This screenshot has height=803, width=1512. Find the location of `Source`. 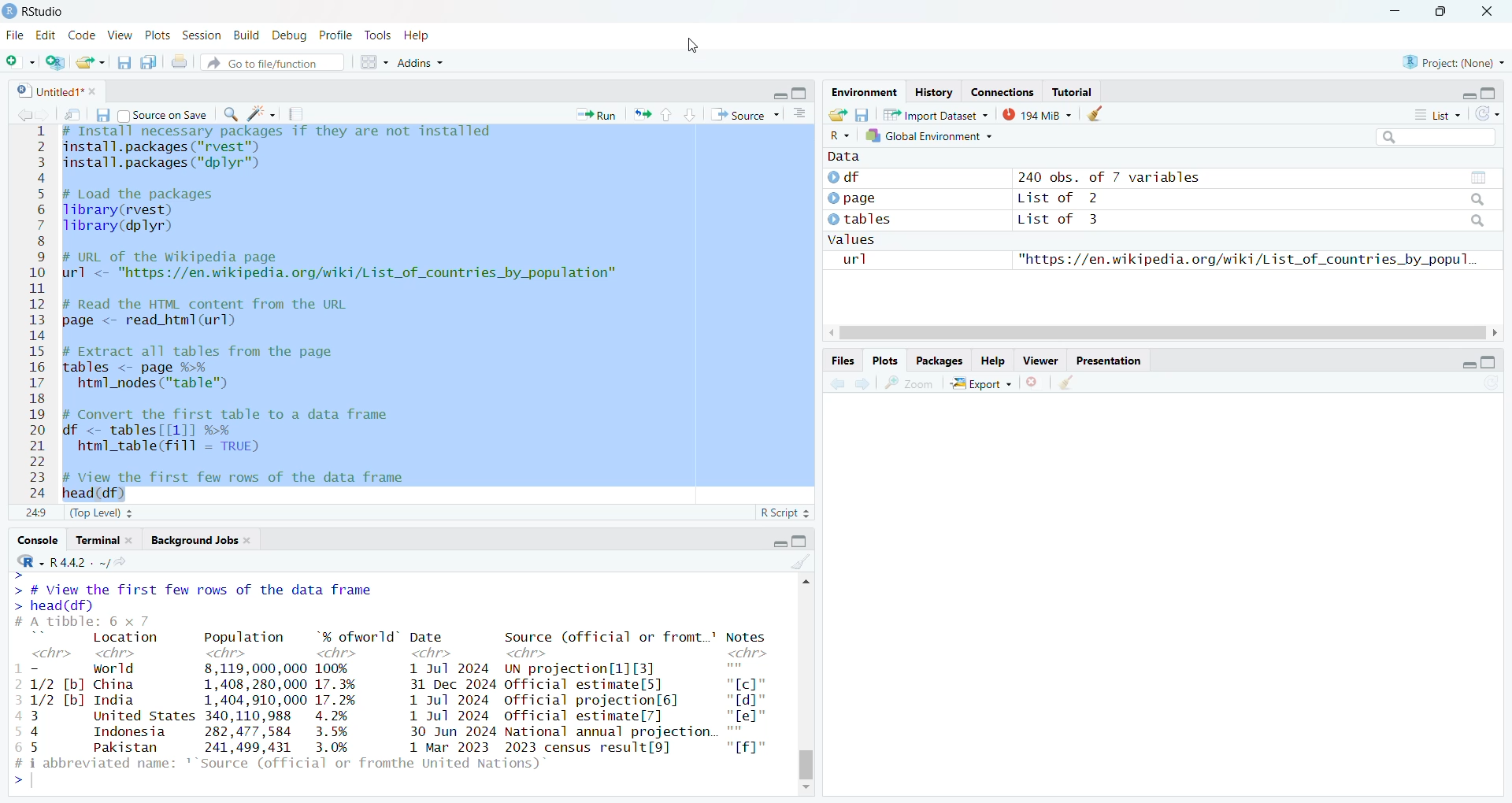

Source is located at coordinates (745, 114).